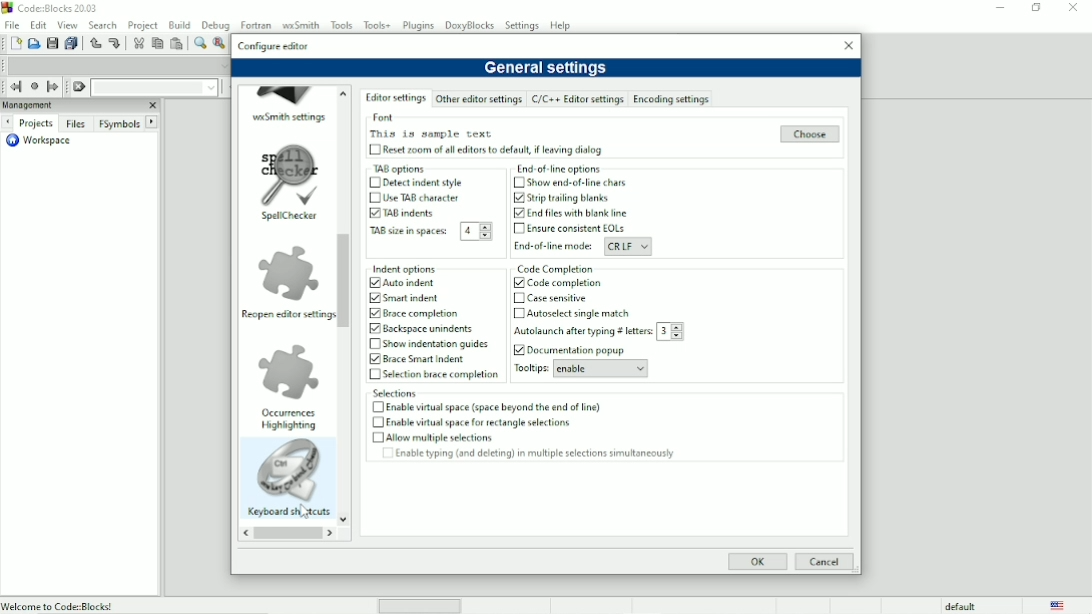 This screenshot has width=1092, height=614. Describe the element at coordinates (57, 105) in the screenshot. I see `Managment` at that location.